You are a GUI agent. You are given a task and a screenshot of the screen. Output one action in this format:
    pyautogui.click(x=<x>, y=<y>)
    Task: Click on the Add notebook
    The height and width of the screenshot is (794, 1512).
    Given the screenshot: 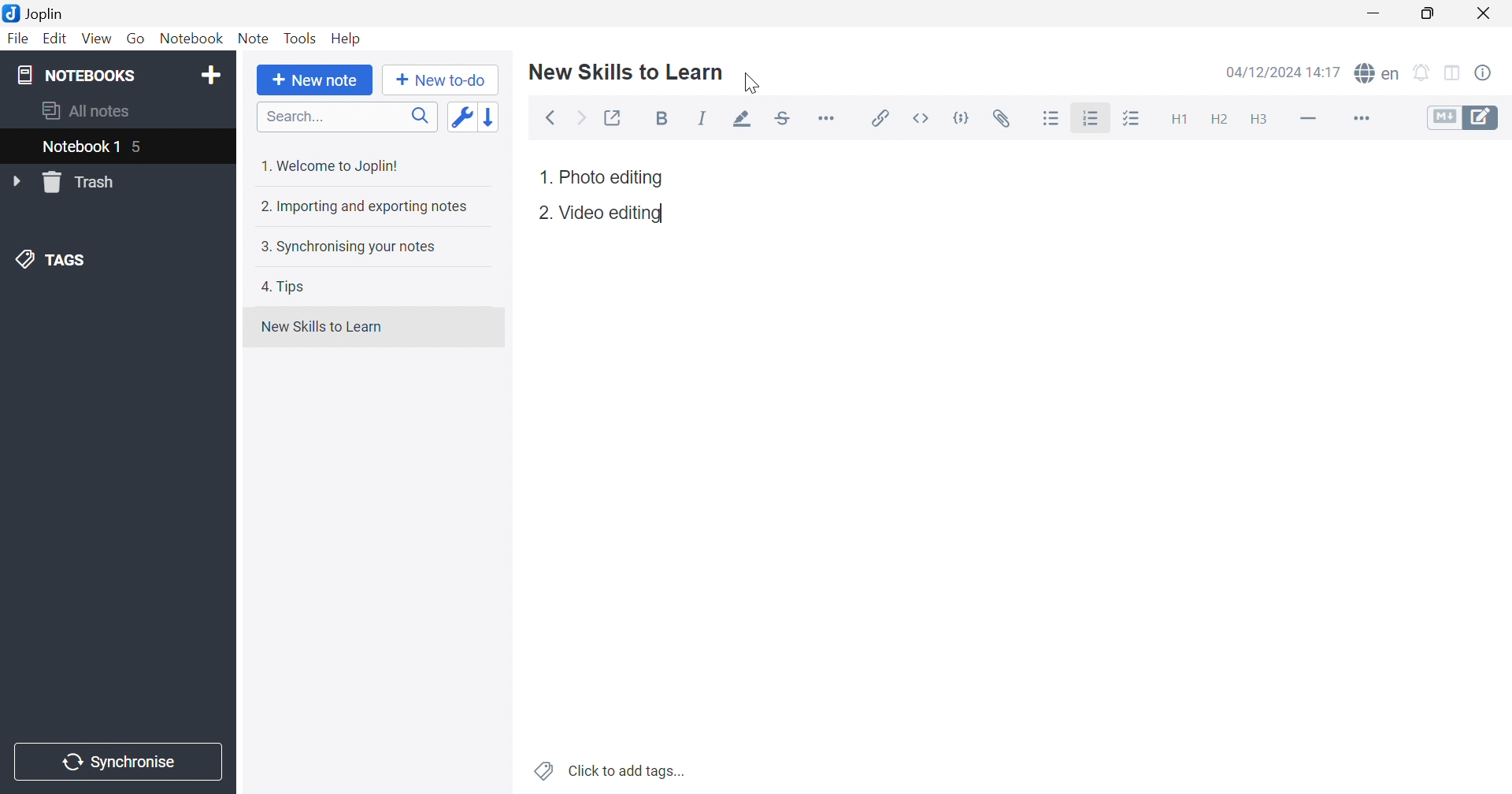 What is the action you would take?
    pyautogui.click(x=211, y=77)
    